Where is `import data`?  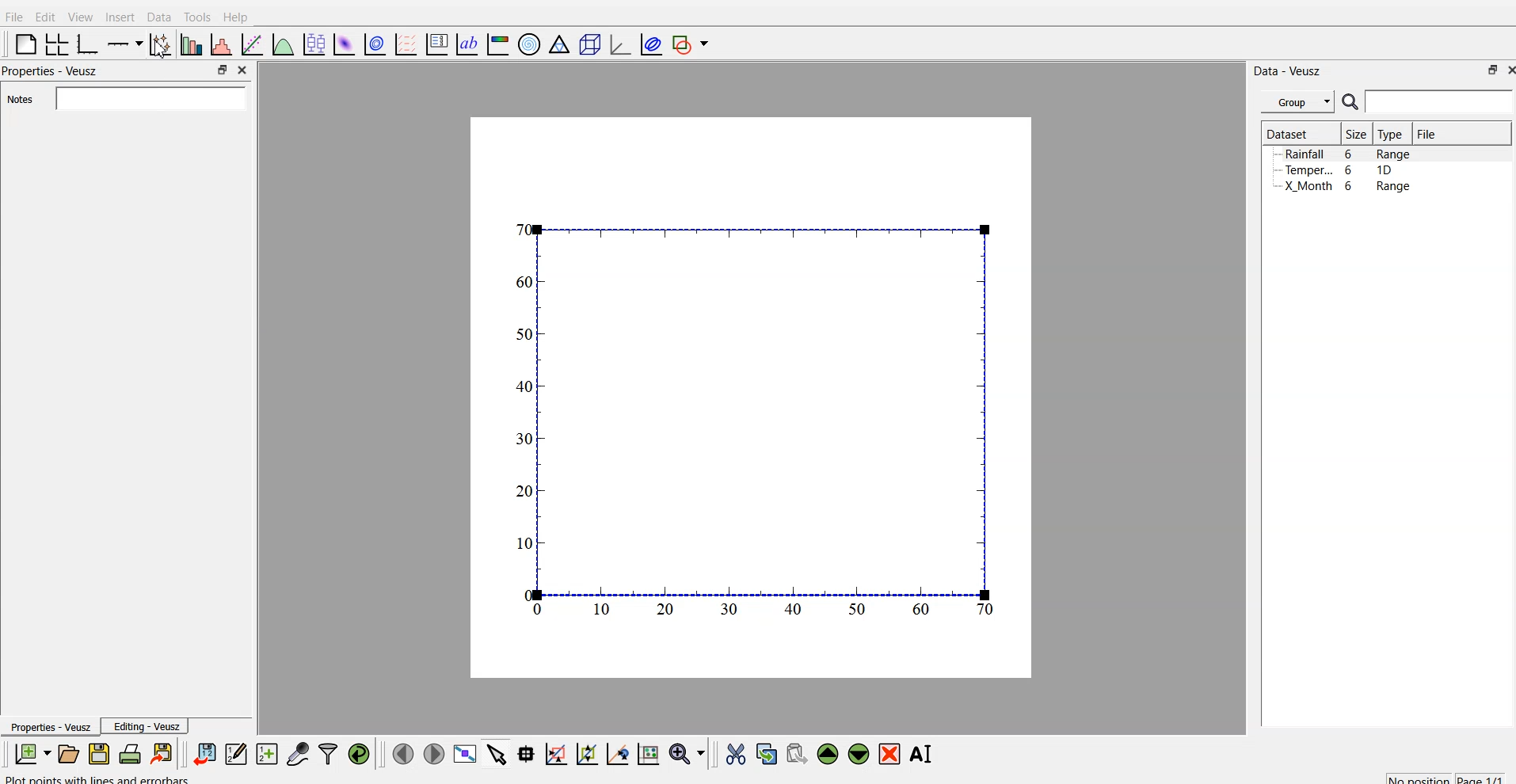 import data is located at coordinates (206, 755).